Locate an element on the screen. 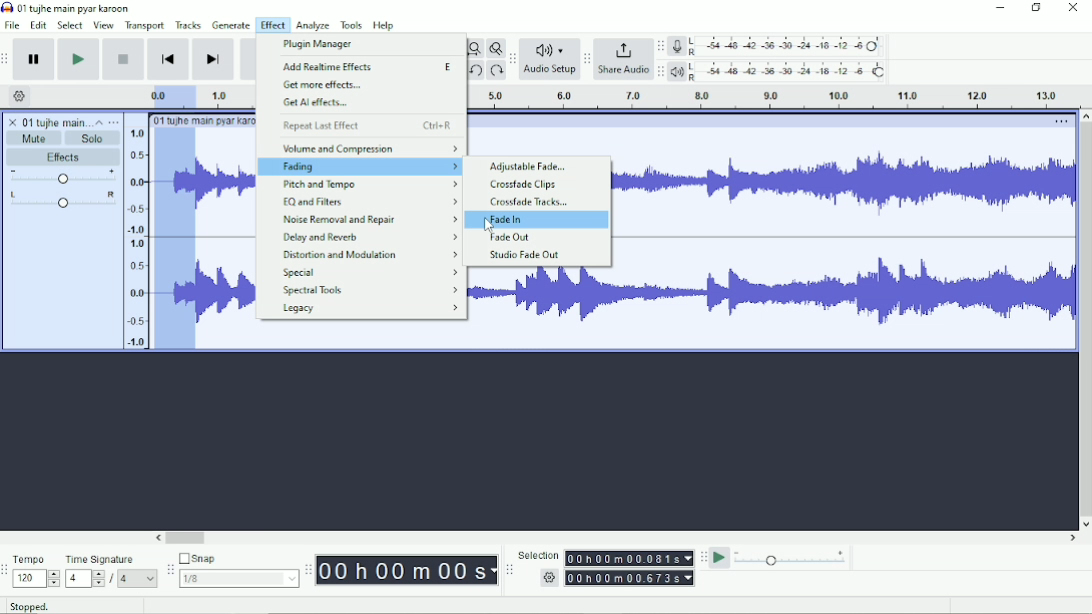  Fade In is located at coordinates (504, 220).